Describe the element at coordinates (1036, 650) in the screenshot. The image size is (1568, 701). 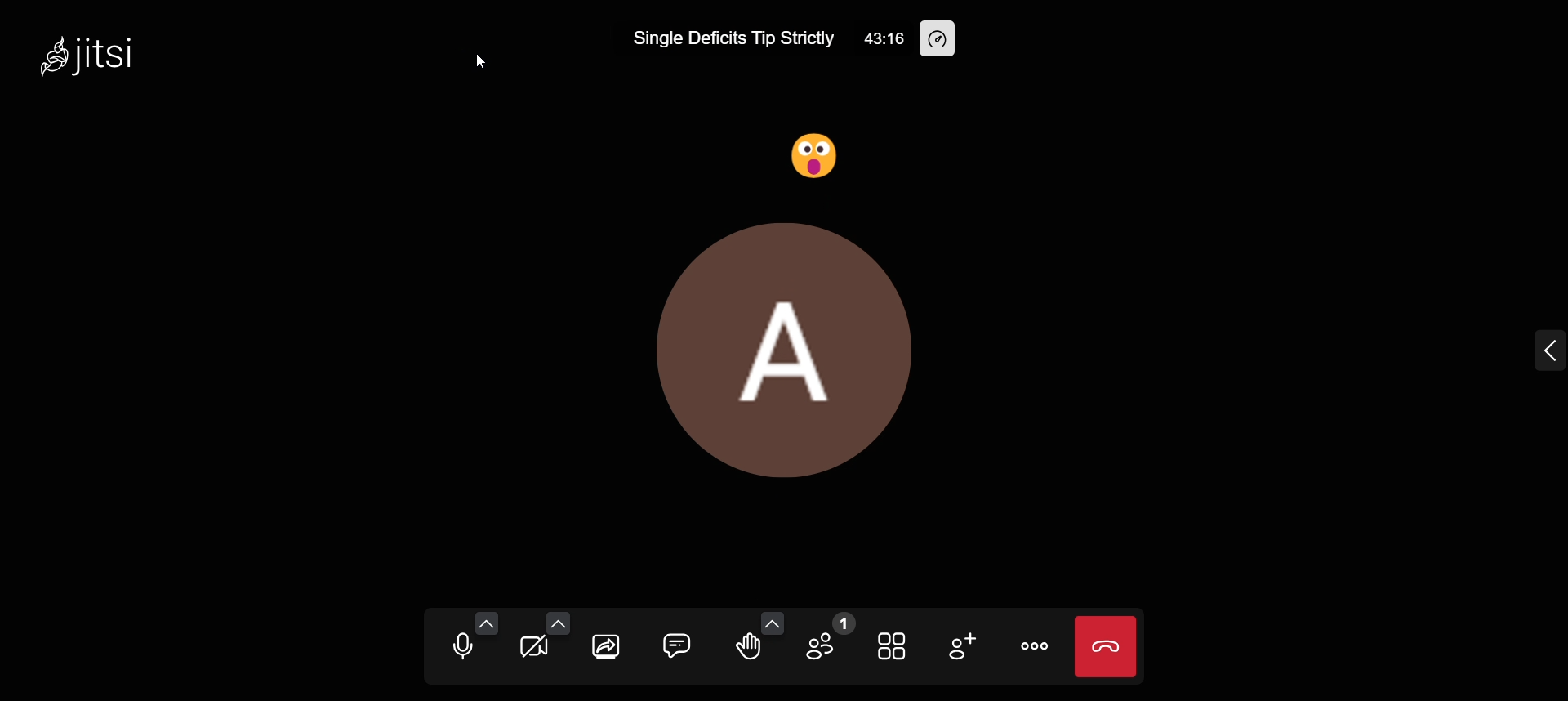
I see `more actions` at that location.